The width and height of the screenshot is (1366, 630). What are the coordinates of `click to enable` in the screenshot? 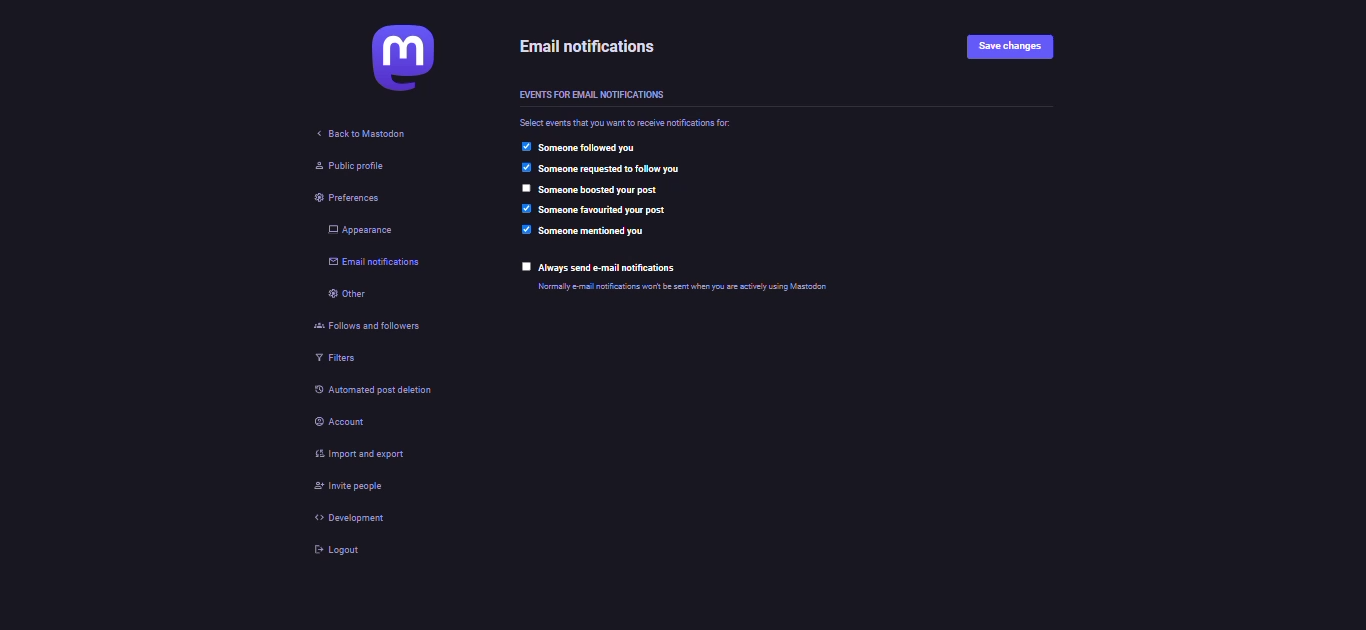 It's located at (522, 188).